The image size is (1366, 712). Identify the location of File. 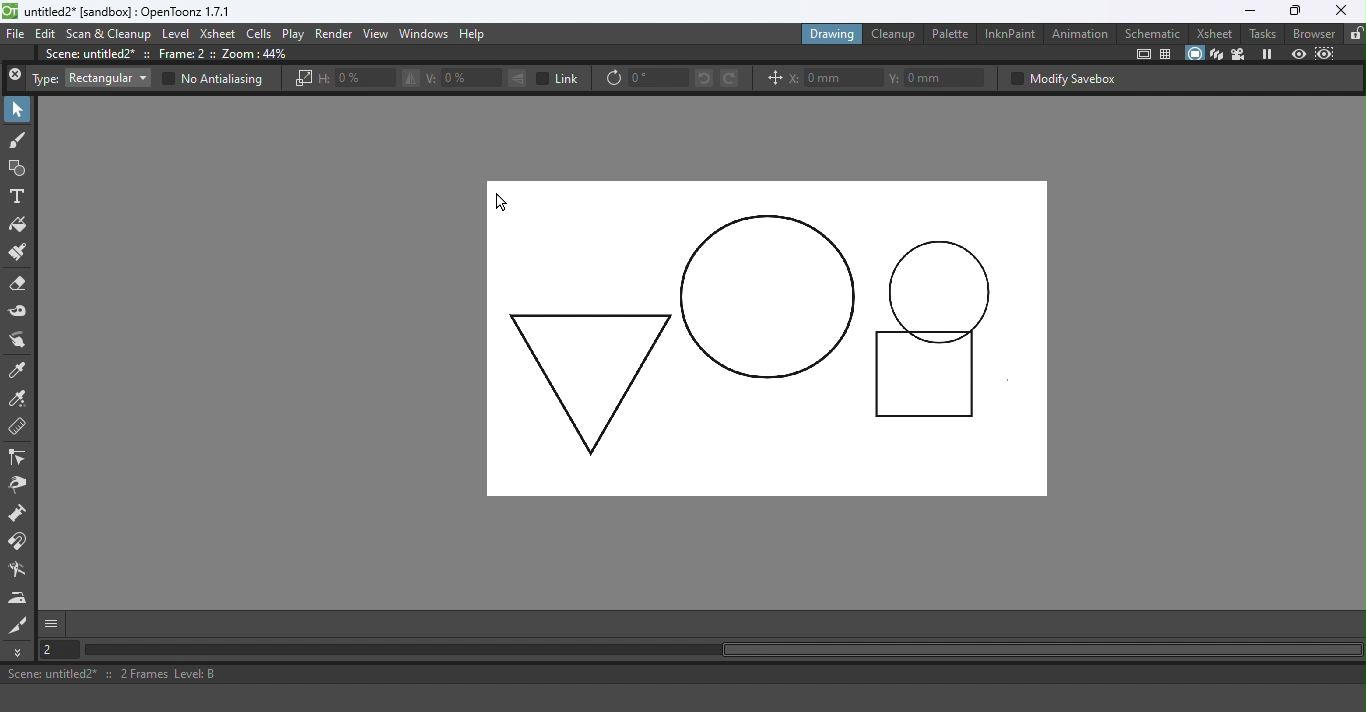
(16, 35).